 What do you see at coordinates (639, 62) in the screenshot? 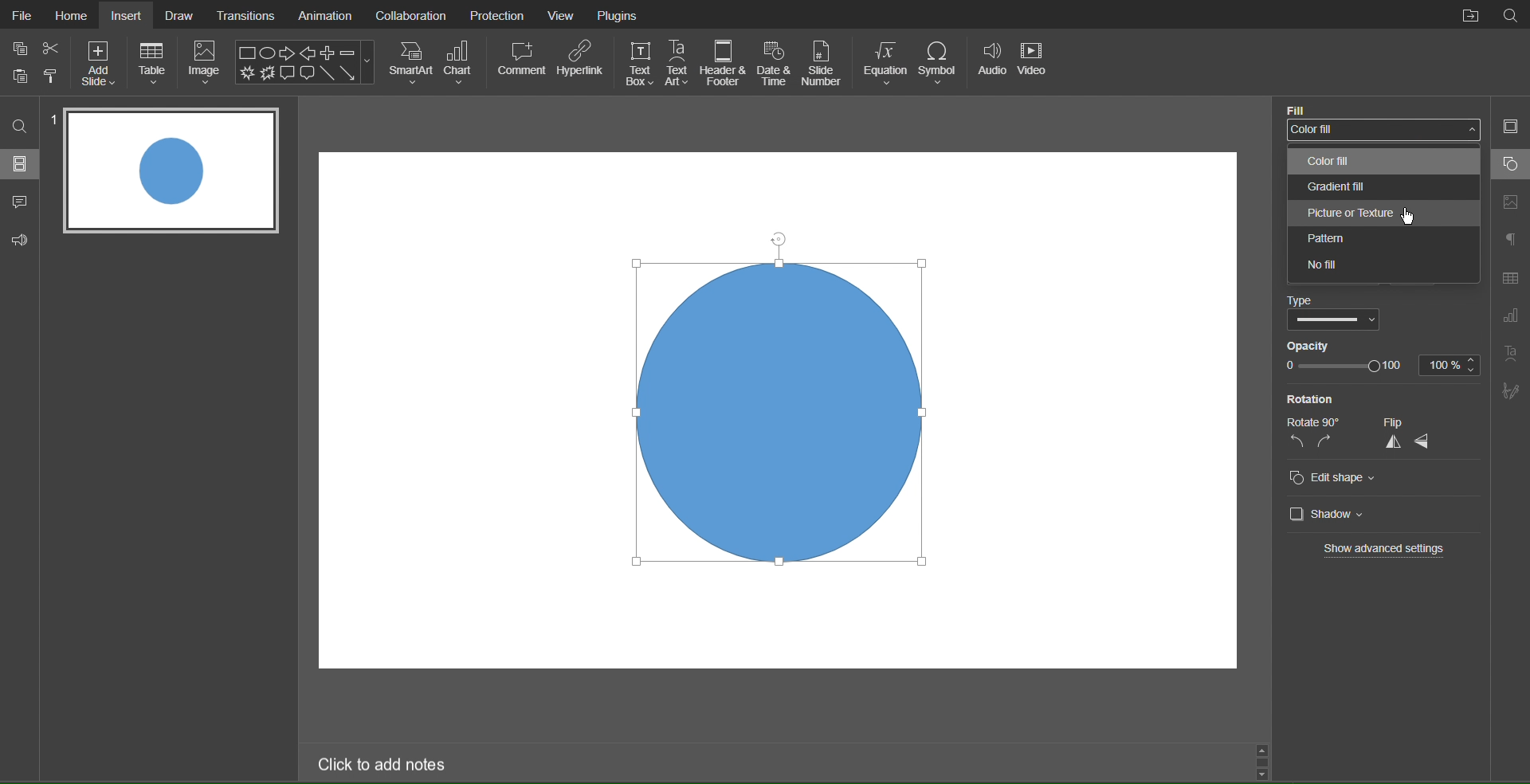
I see `Text Box` at bounding box center [639, 62].